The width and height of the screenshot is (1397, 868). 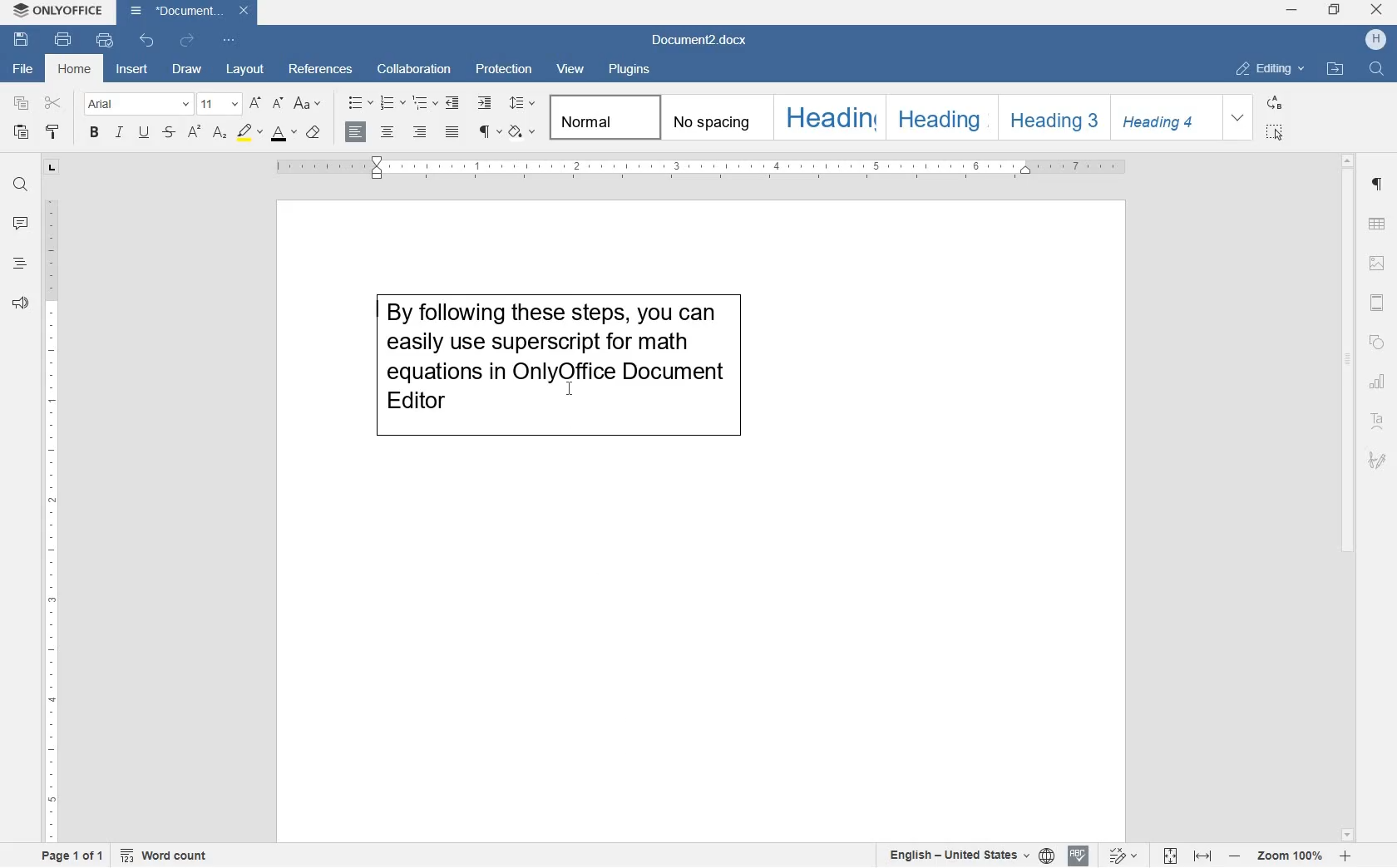 I want to click on headers & footers, so click(x=1377, y=305).